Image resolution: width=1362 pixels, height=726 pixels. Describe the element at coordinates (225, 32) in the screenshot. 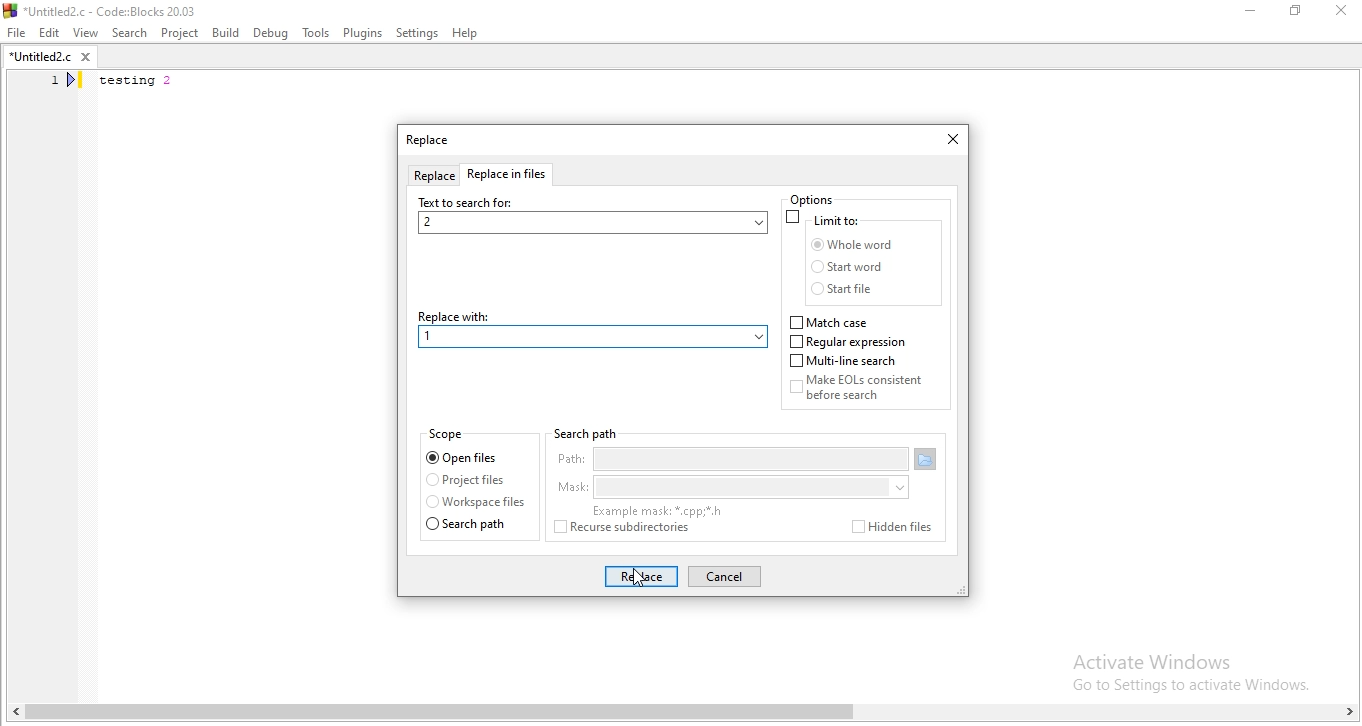

I see `Build ` at that location.